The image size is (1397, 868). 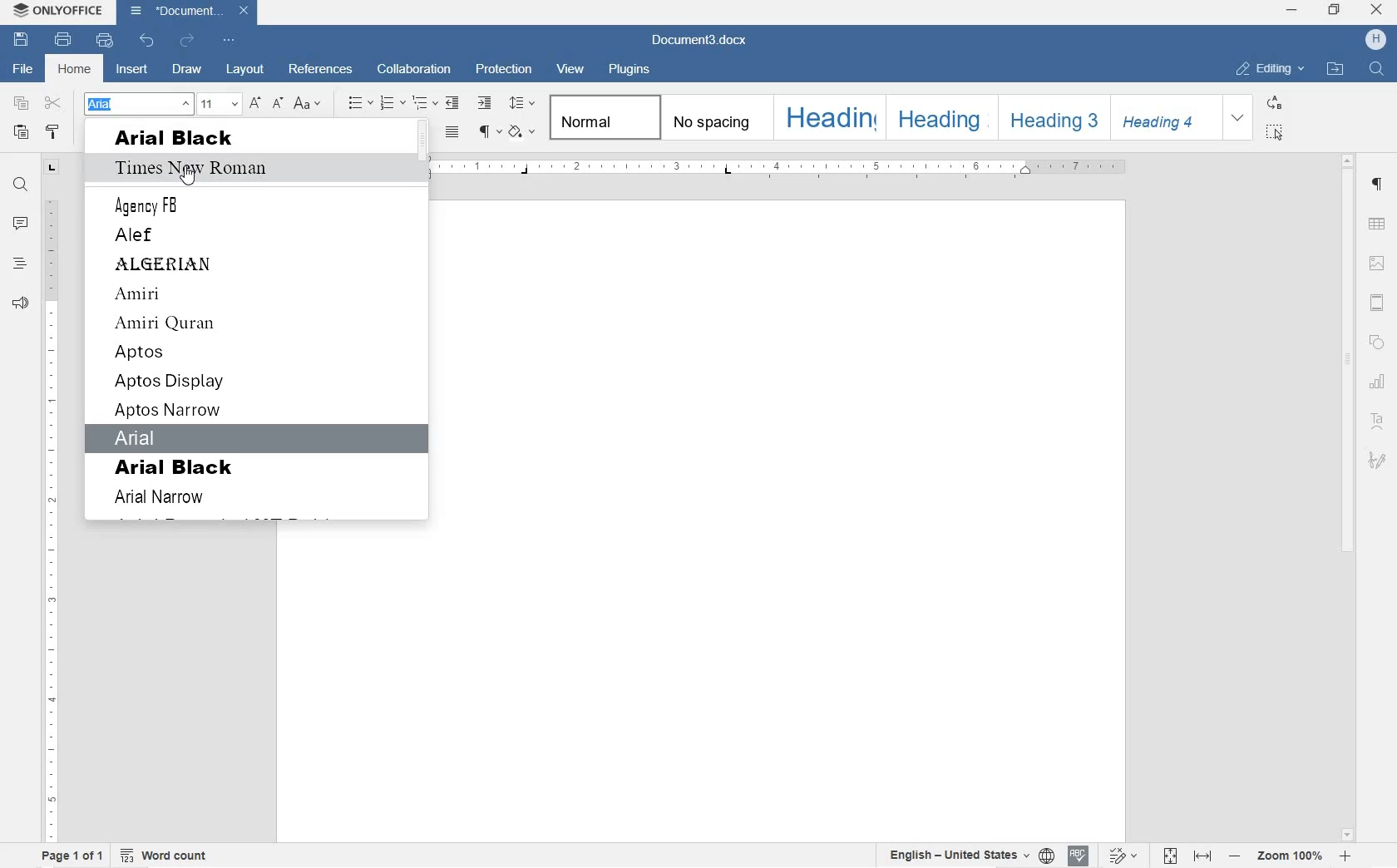 I want to click on minimize, so click(x=1291, y=12).